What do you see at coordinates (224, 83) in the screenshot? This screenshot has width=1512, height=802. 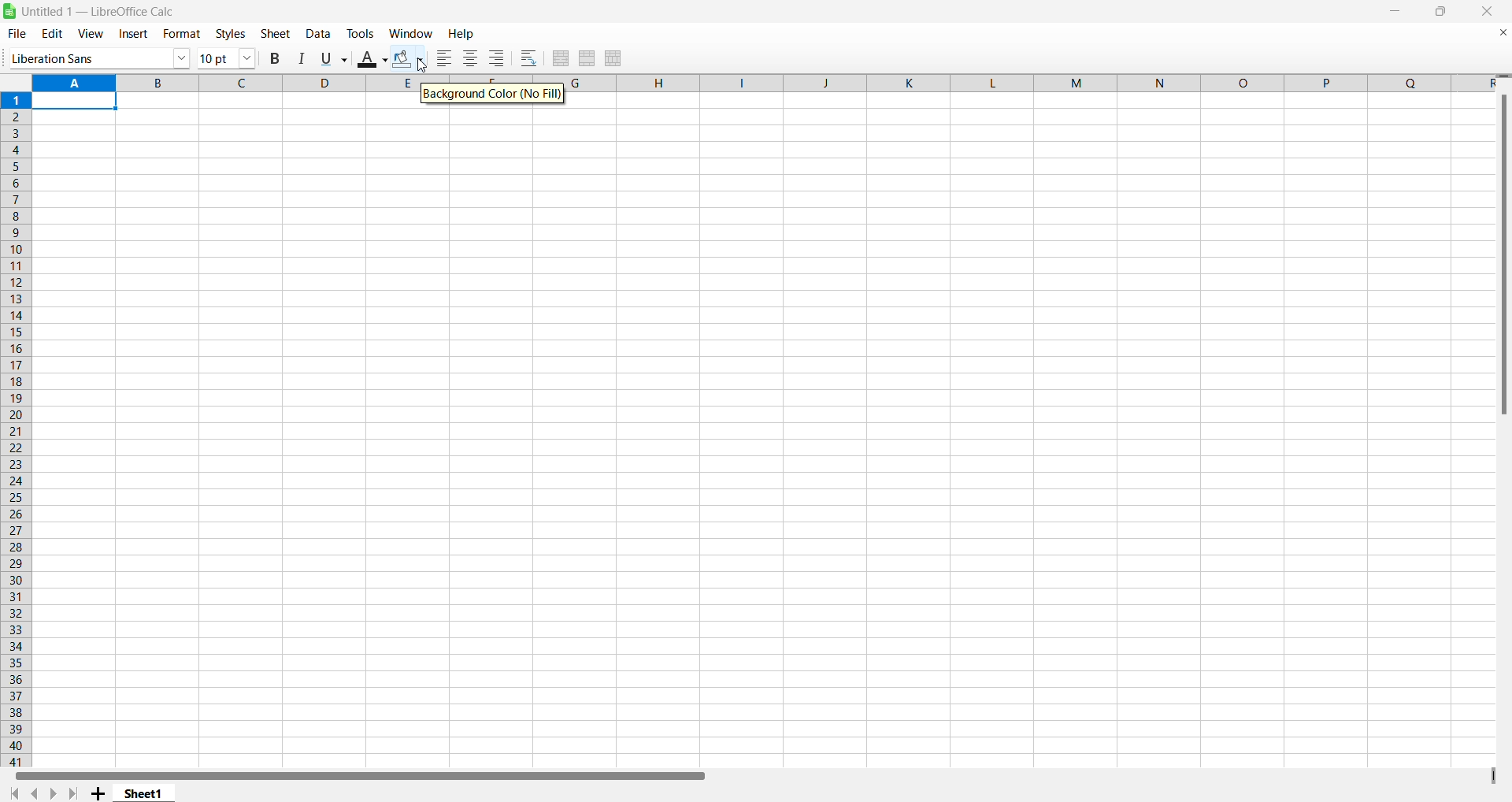 I see `columns` at bounding box center [224, 83].